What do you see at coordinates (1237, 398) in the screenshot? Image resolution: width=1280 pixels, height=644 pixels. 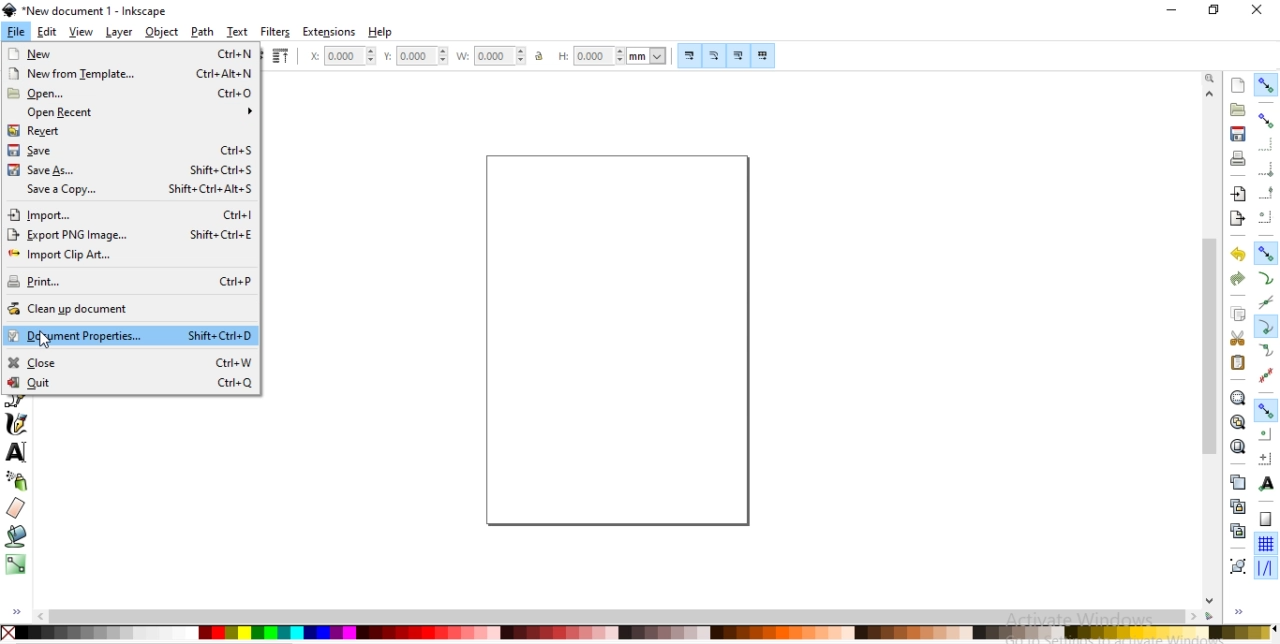 I see `zoom to fit selection` at bounding box center [1237, 398].